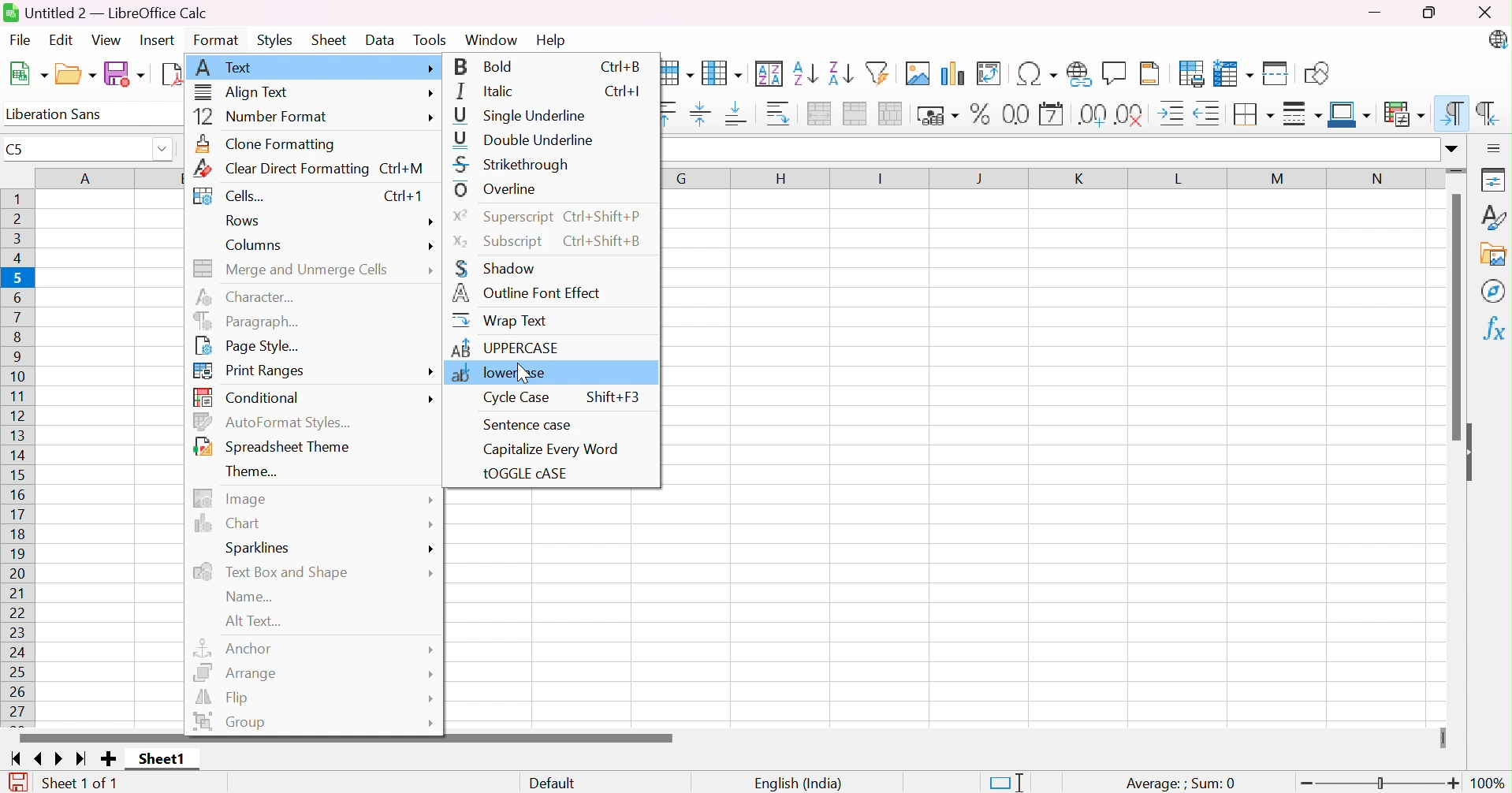  What do you see at coordinates (512, 164) in the screenshot?
I see `Strikethrough` at bounding box center [512, 164].